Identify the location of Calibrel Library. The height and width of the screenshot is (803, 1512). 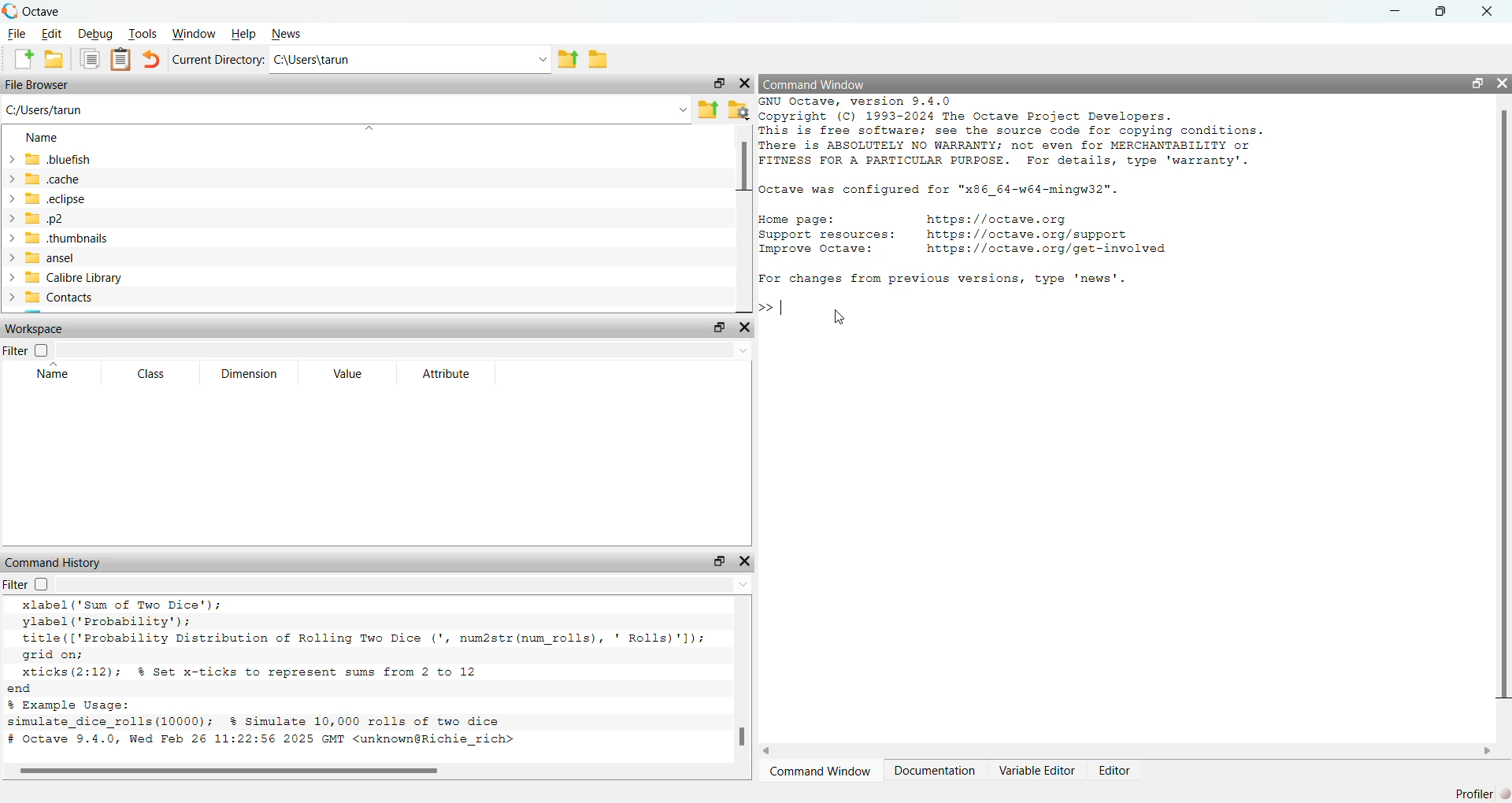
(65, 279).